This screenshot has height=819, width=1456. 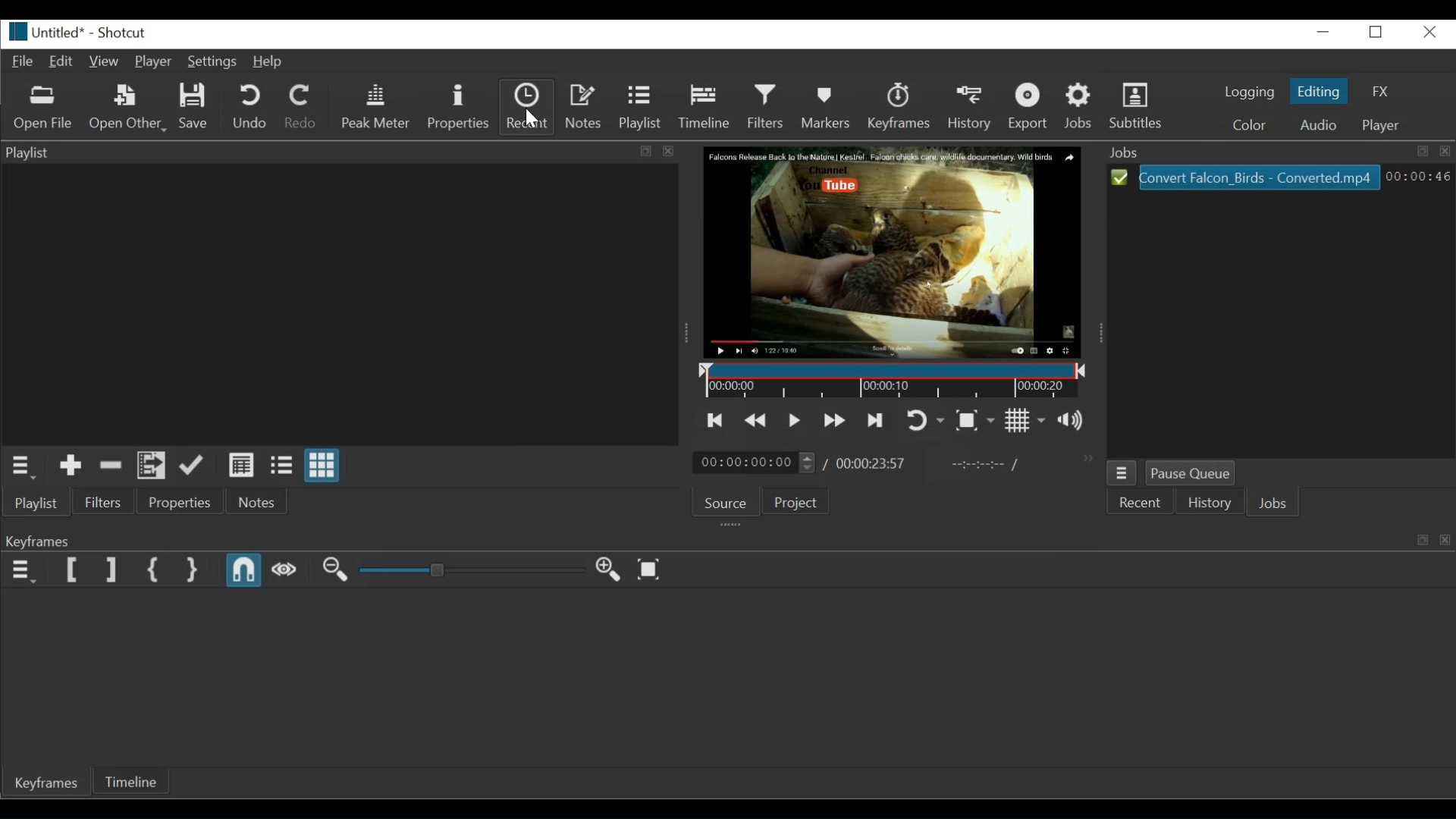 What do you see at coordinates (984, 465) in the screenshot?
I see `In Point` at bounding box center [984, 465].